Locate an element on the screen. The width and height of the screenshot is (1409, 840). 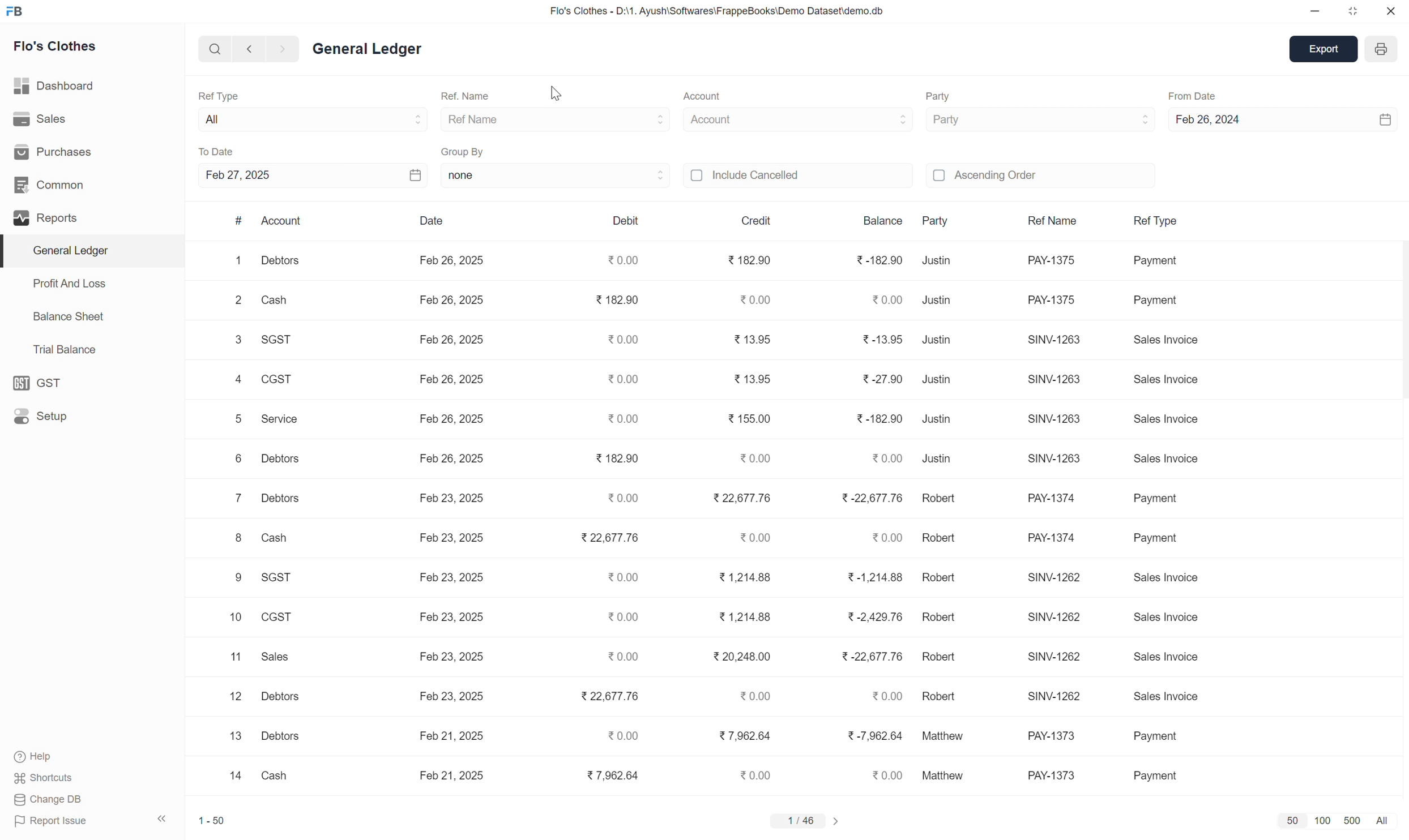
minimize is located at coordinates (1316, 12).